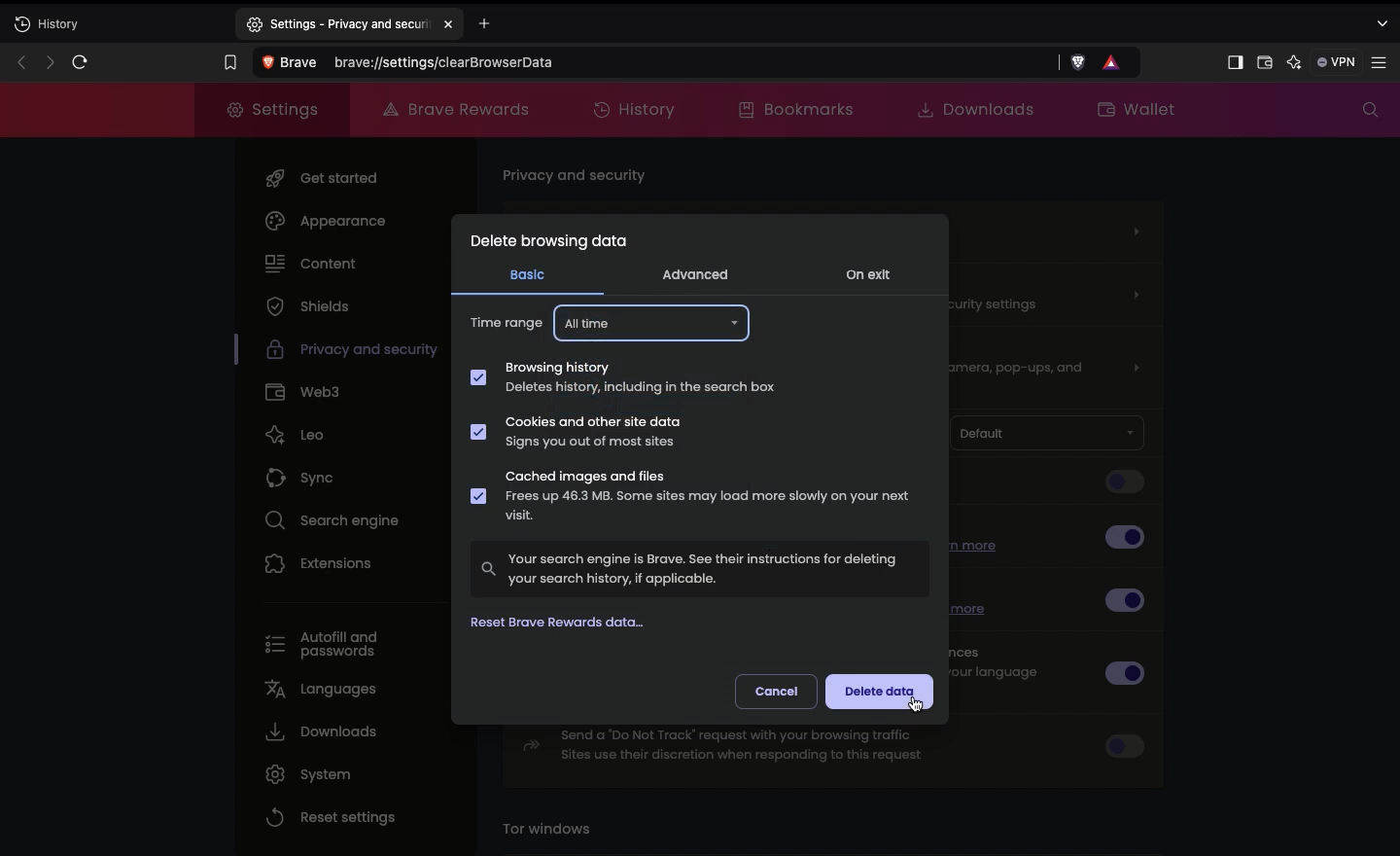  What do you see at coordinates (586, 434) in the screenshot?
I see `Cookies and other site data
Signs you out of most sites` at bounding box center [586, 434].